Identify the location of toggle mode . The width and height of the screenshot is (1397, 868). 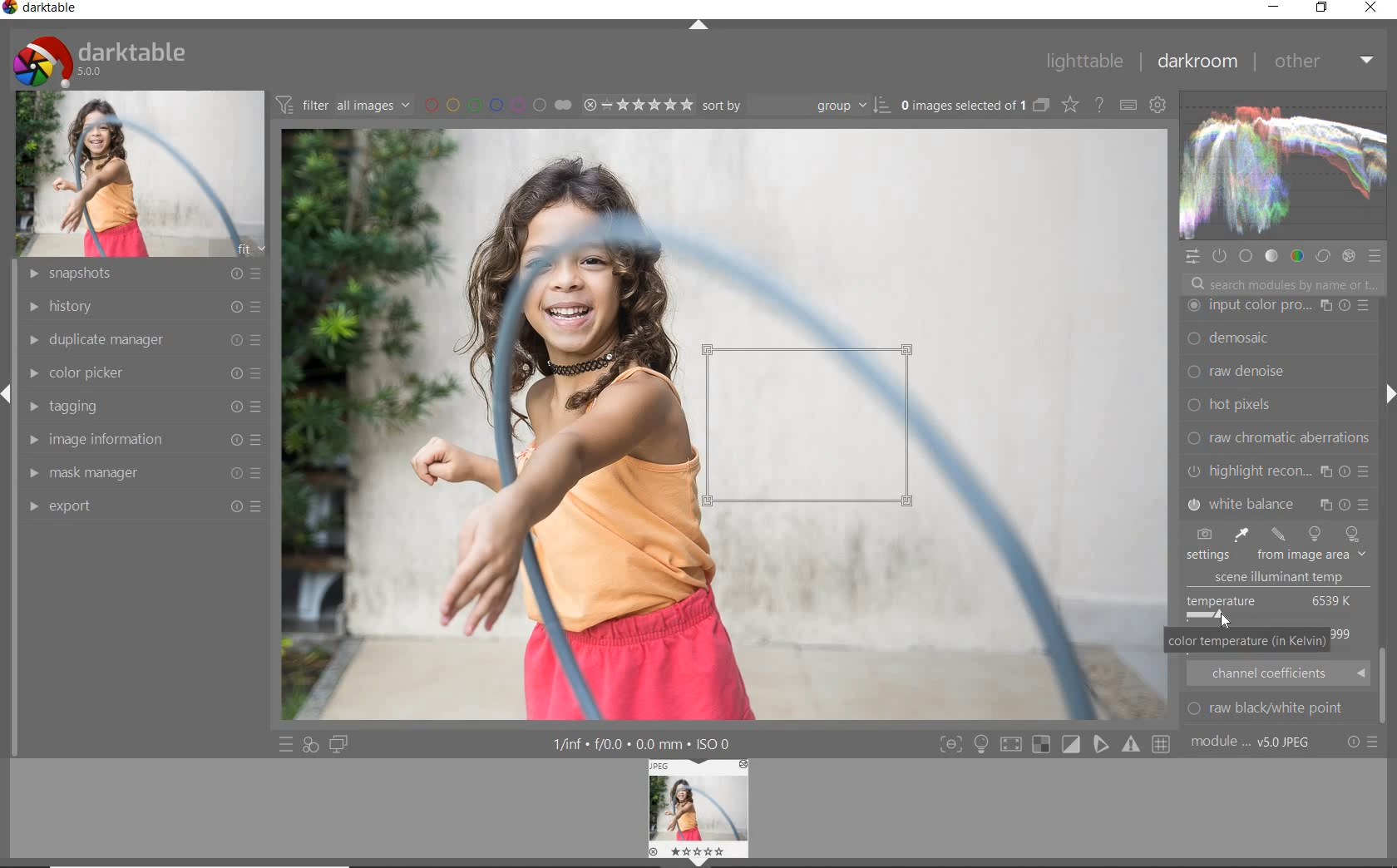
(1133, 745).